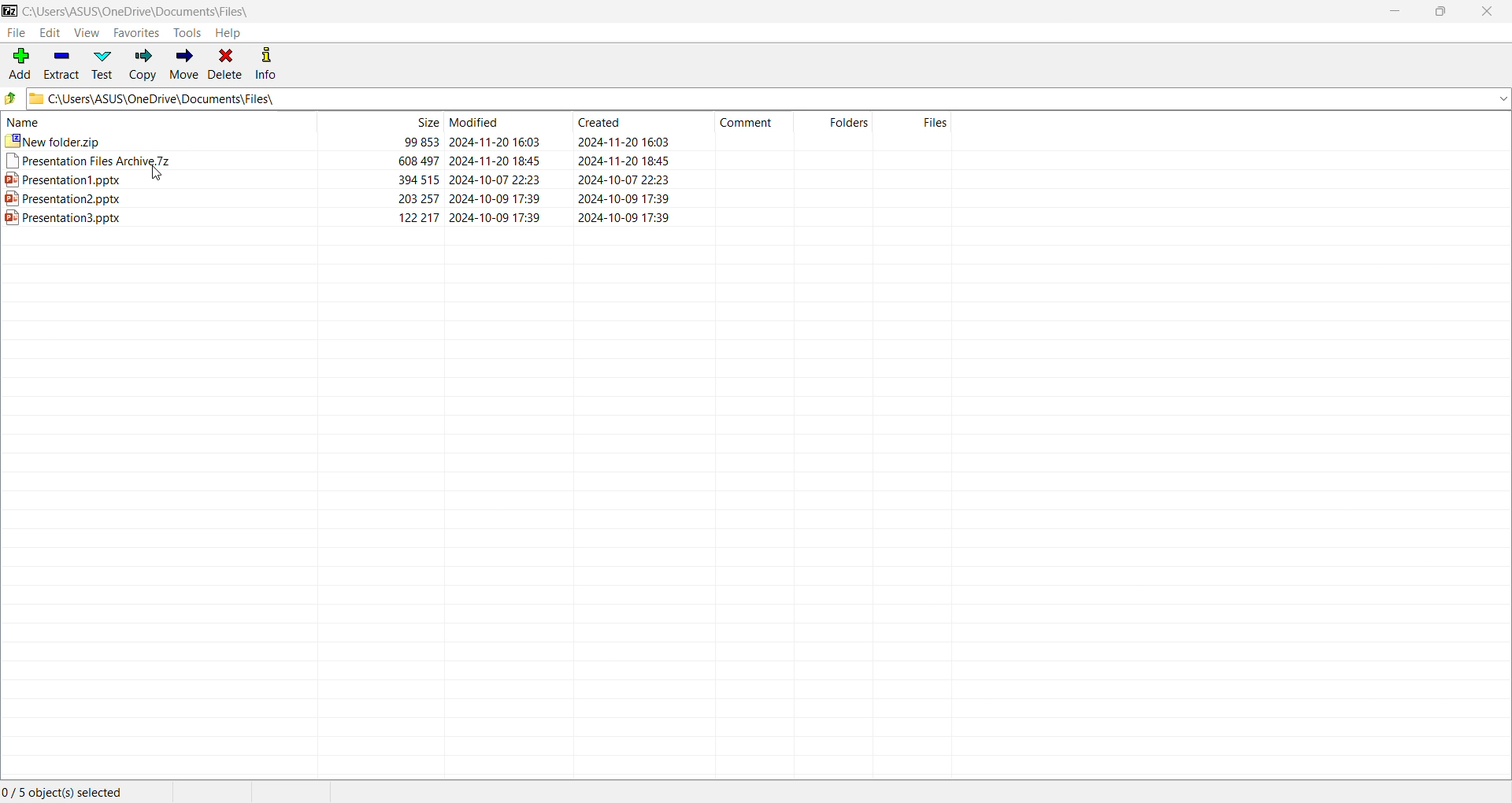  What do you see at coordinates (229, 33) in the screenshot?
I see `Help` at bounding box center [229, 33].